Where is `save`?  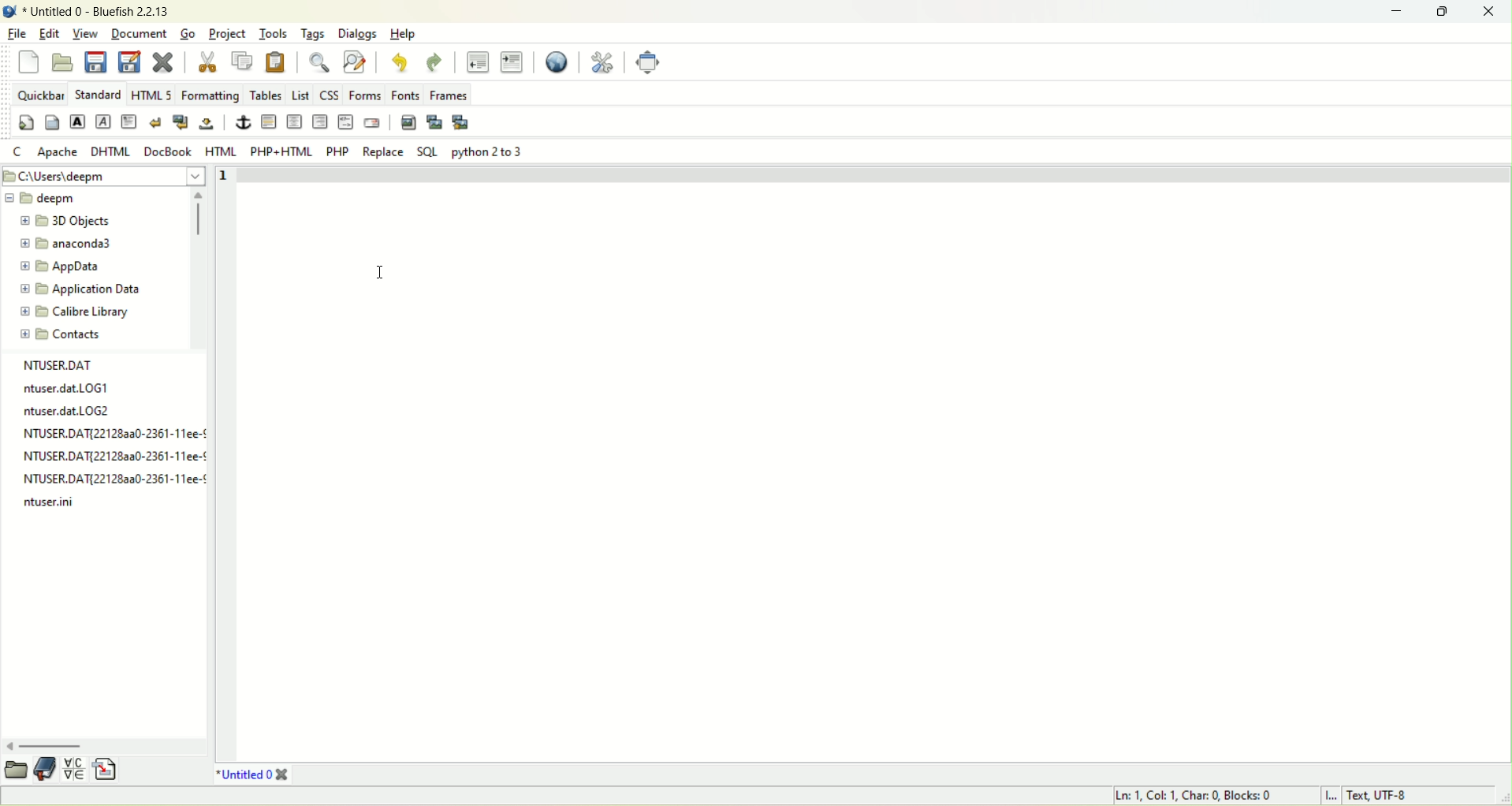
save is located at coordinates (97, 63).